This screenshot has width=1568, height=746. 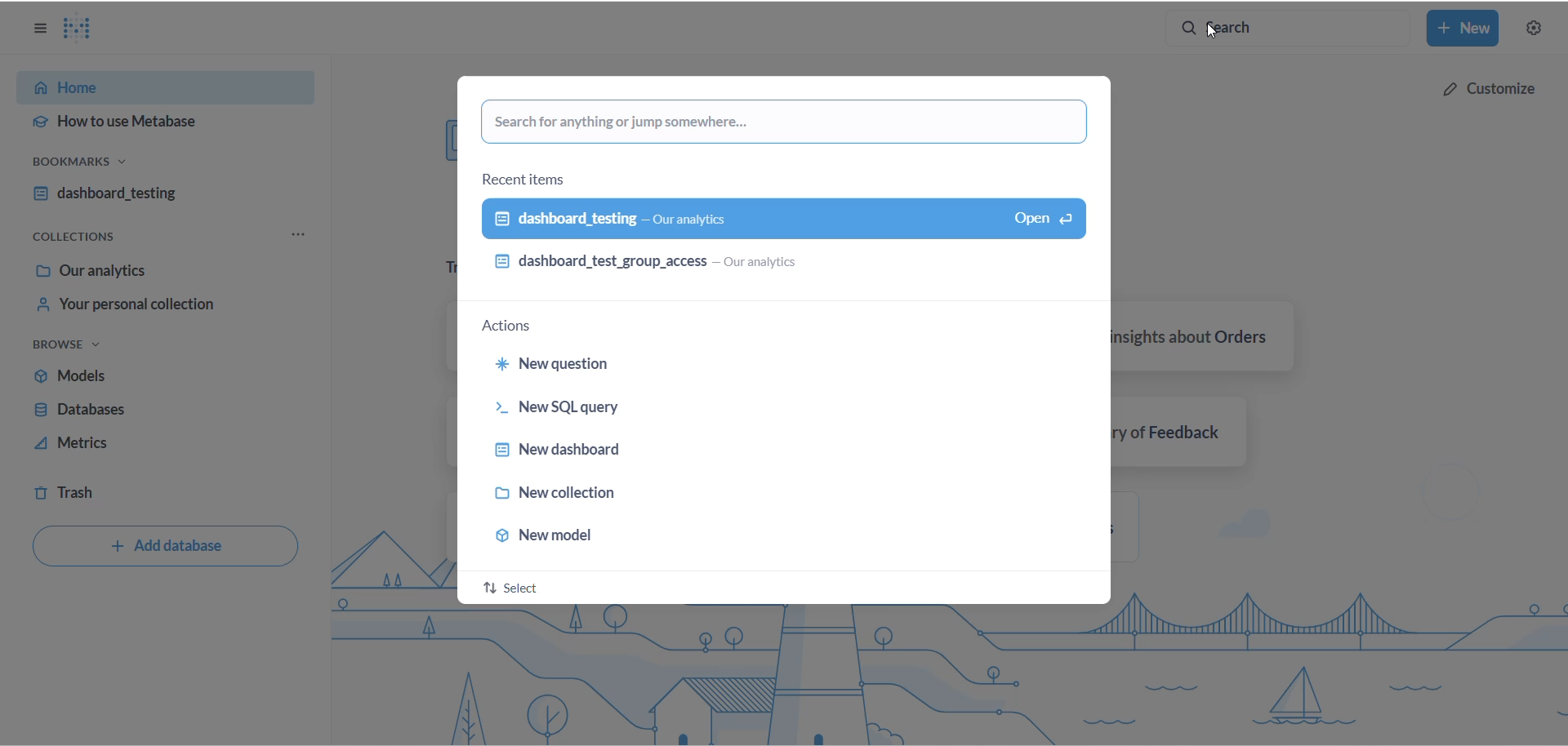 I want to click on show/hide sidebar, so click(x=36, y=30).